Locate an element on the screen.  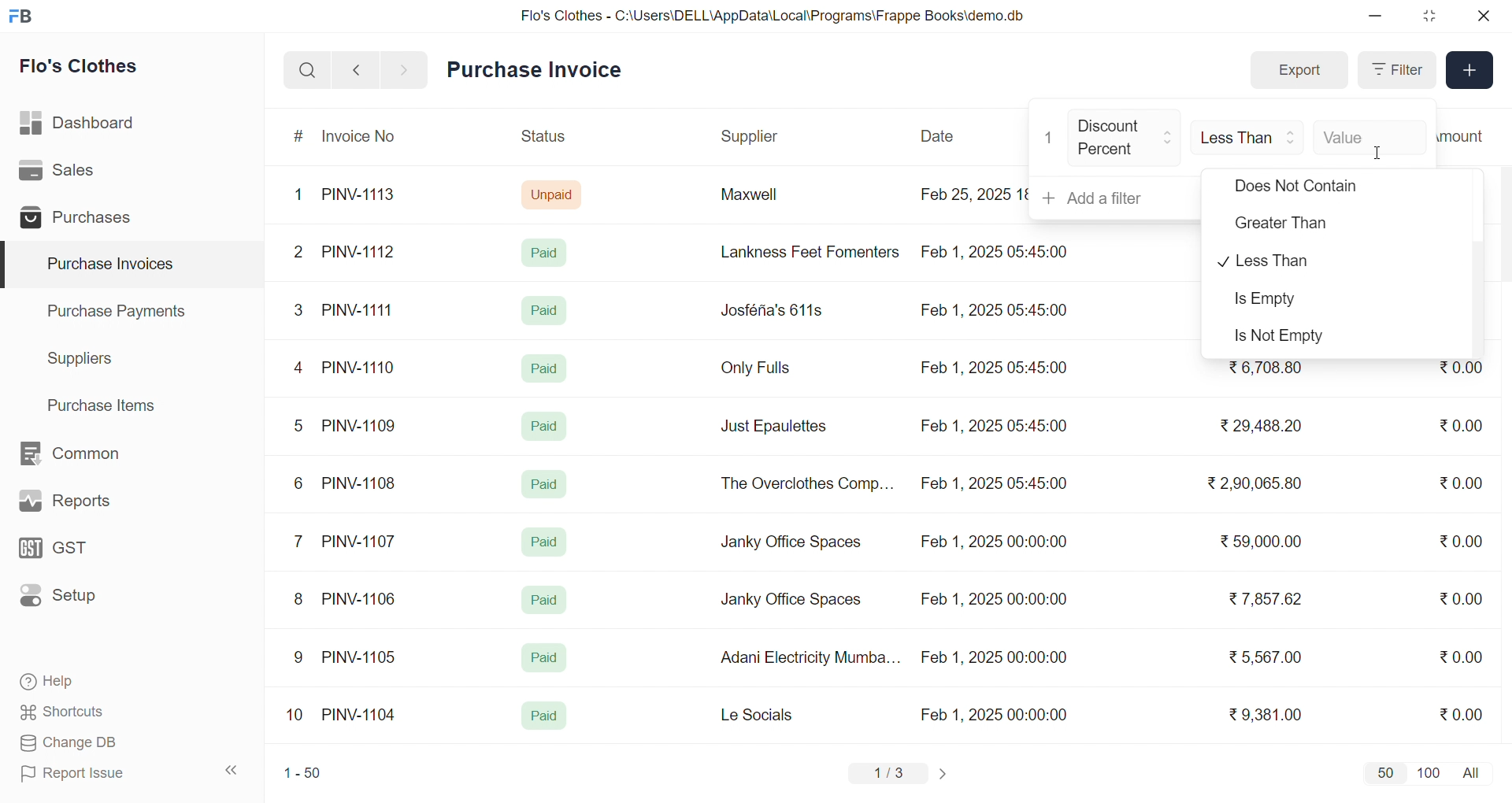
Feb 1, 2025 05:45:00 is located at coordinates (996, 485).